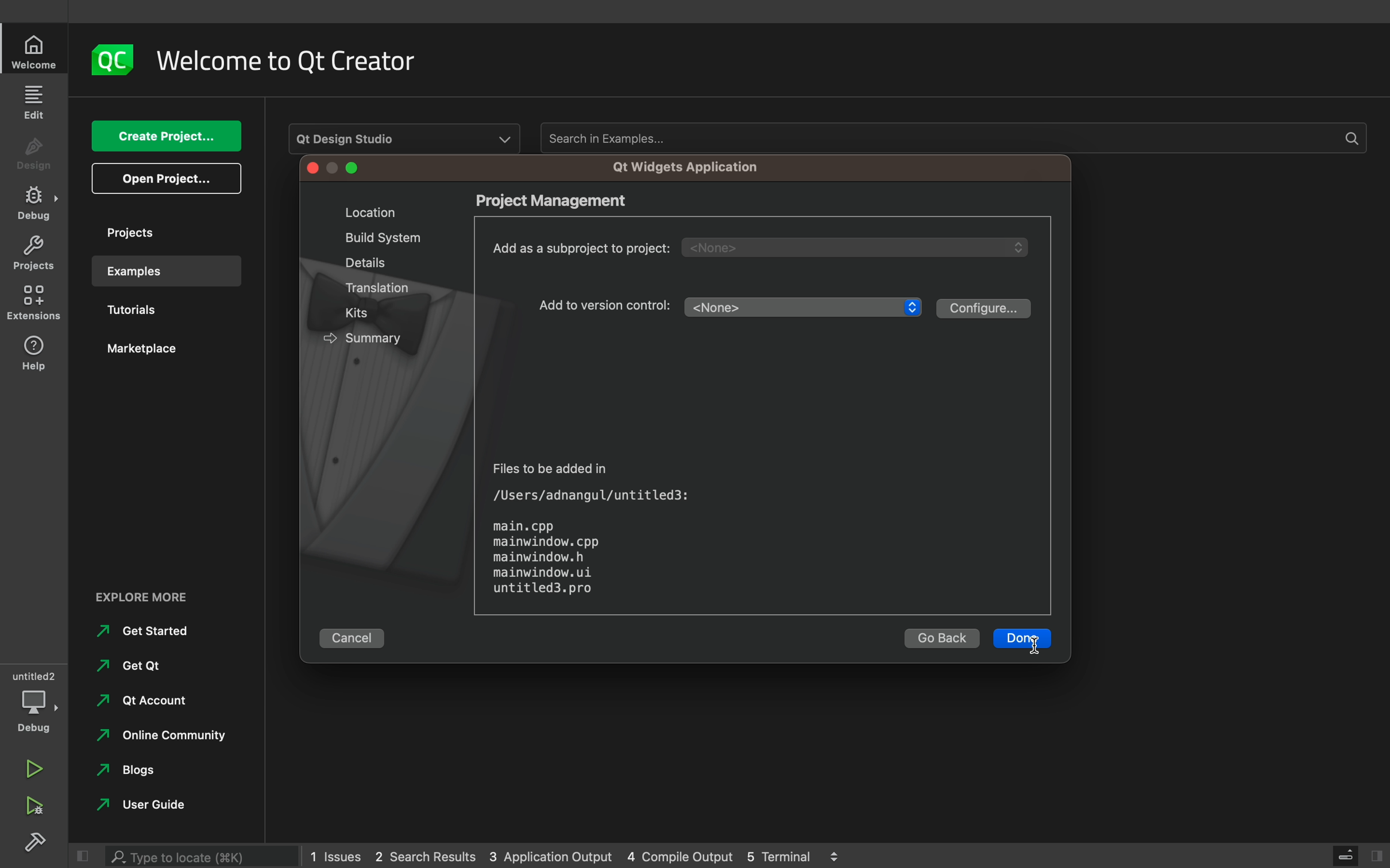  Describe the element at coordinates (87, 855) in the screenshot. I see `` at that location.